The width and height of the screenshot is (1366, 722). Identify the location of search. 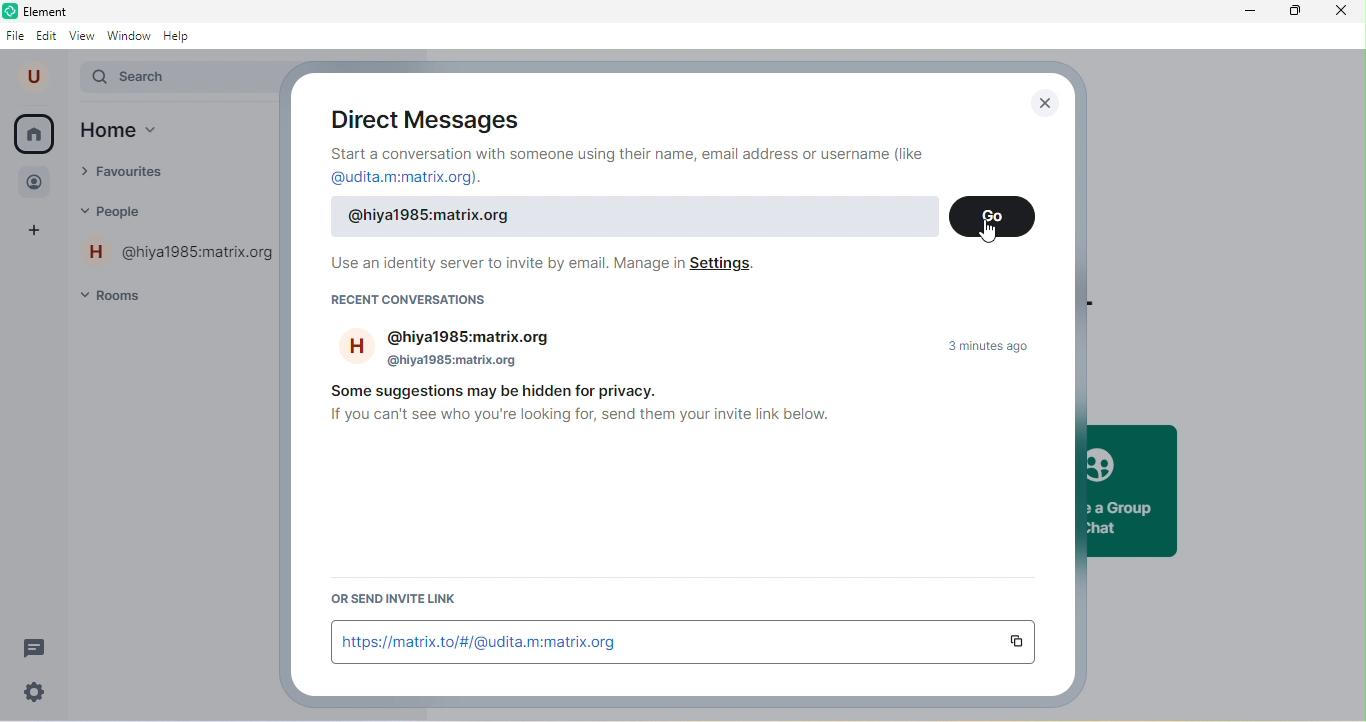
(180, 79).